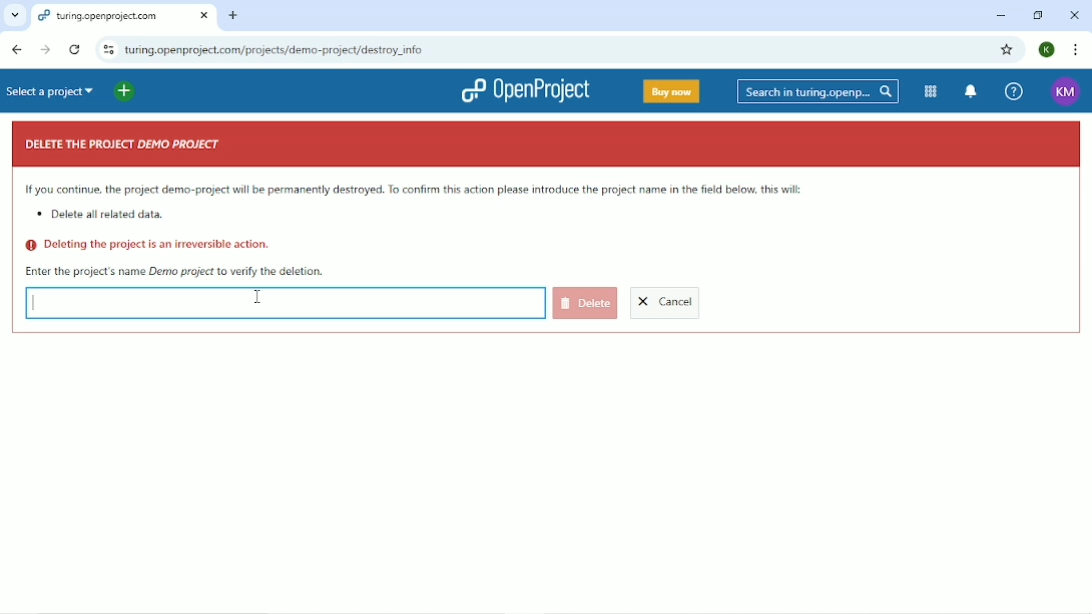 This screenshot has width=1092, height=614. I want to click on Search in turin.openprojects.com, so click(818, 91).